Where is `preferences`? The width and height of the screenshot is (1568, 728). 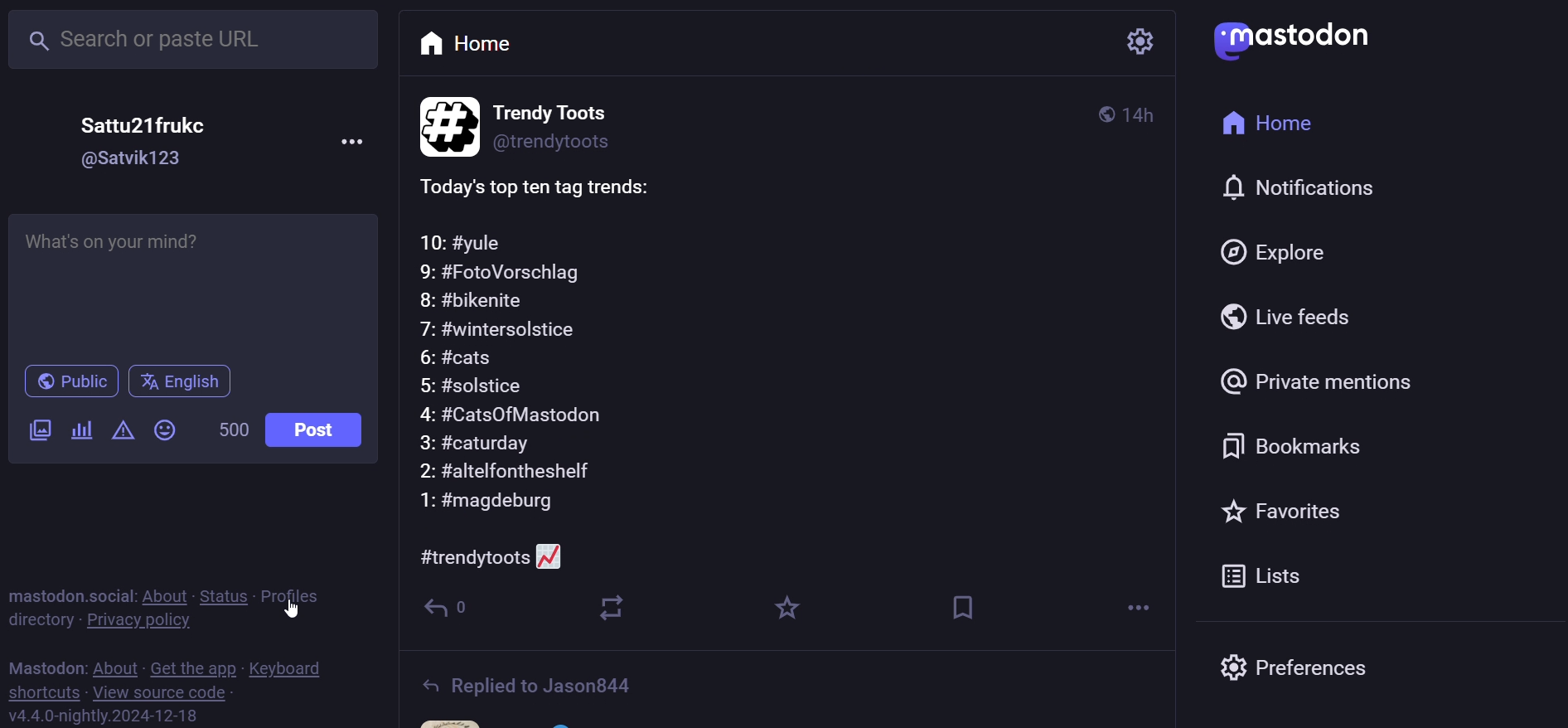
preferences is located at coordinates (1304, 669).